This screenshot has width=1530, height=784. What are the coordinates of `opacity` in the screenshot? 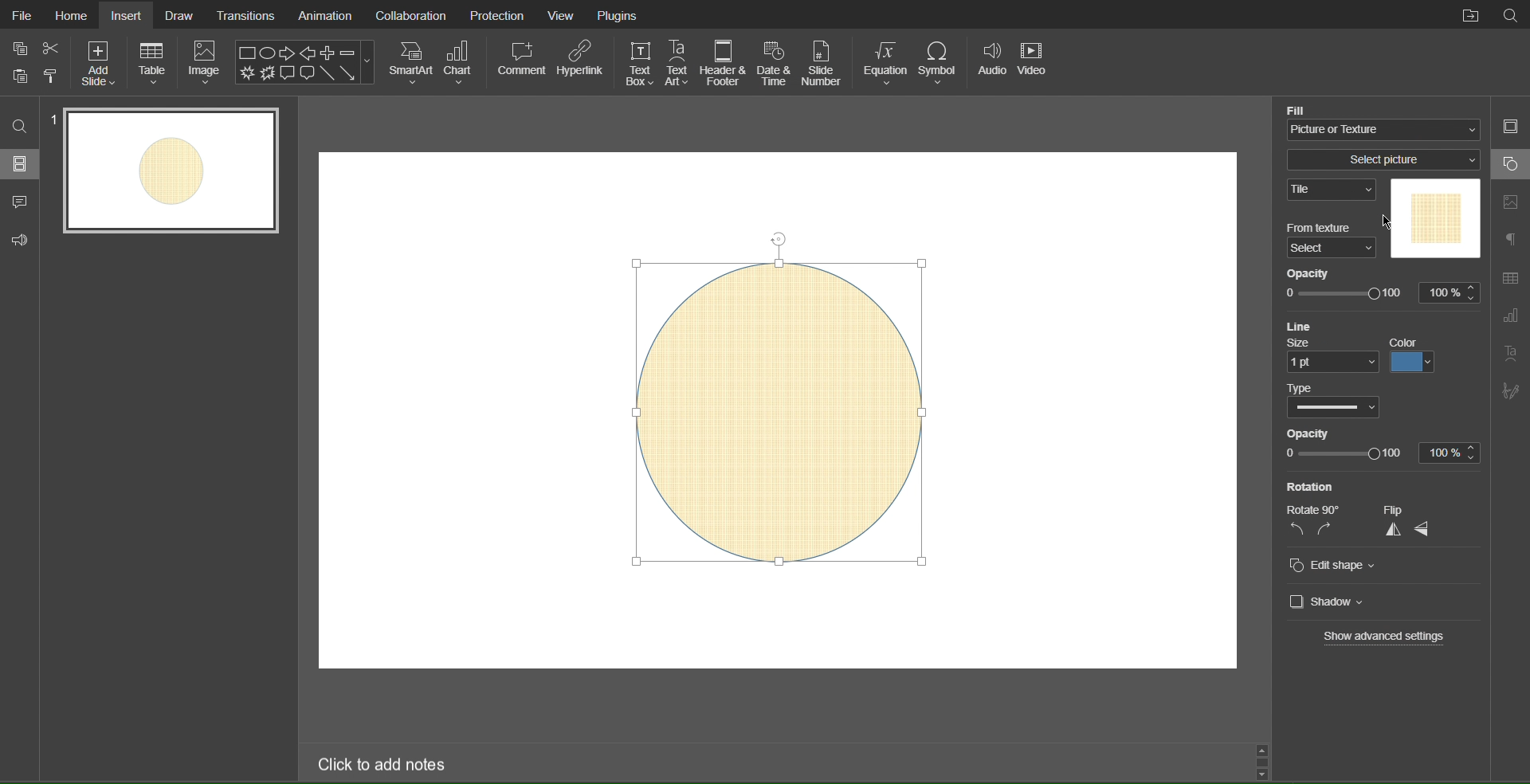 It's located at (1315, 272).